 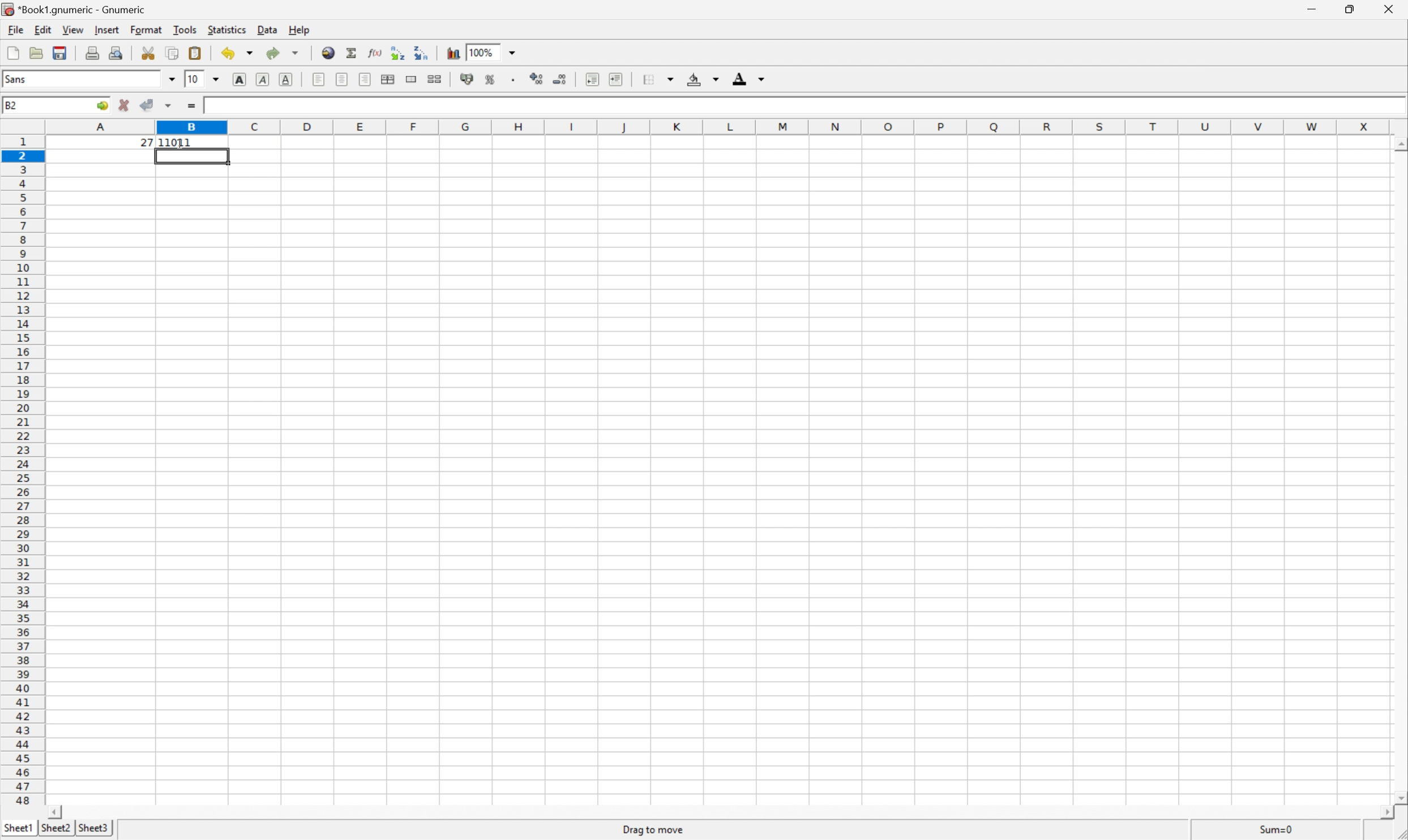 I want to click on Underline, so click(x=286, y=81).